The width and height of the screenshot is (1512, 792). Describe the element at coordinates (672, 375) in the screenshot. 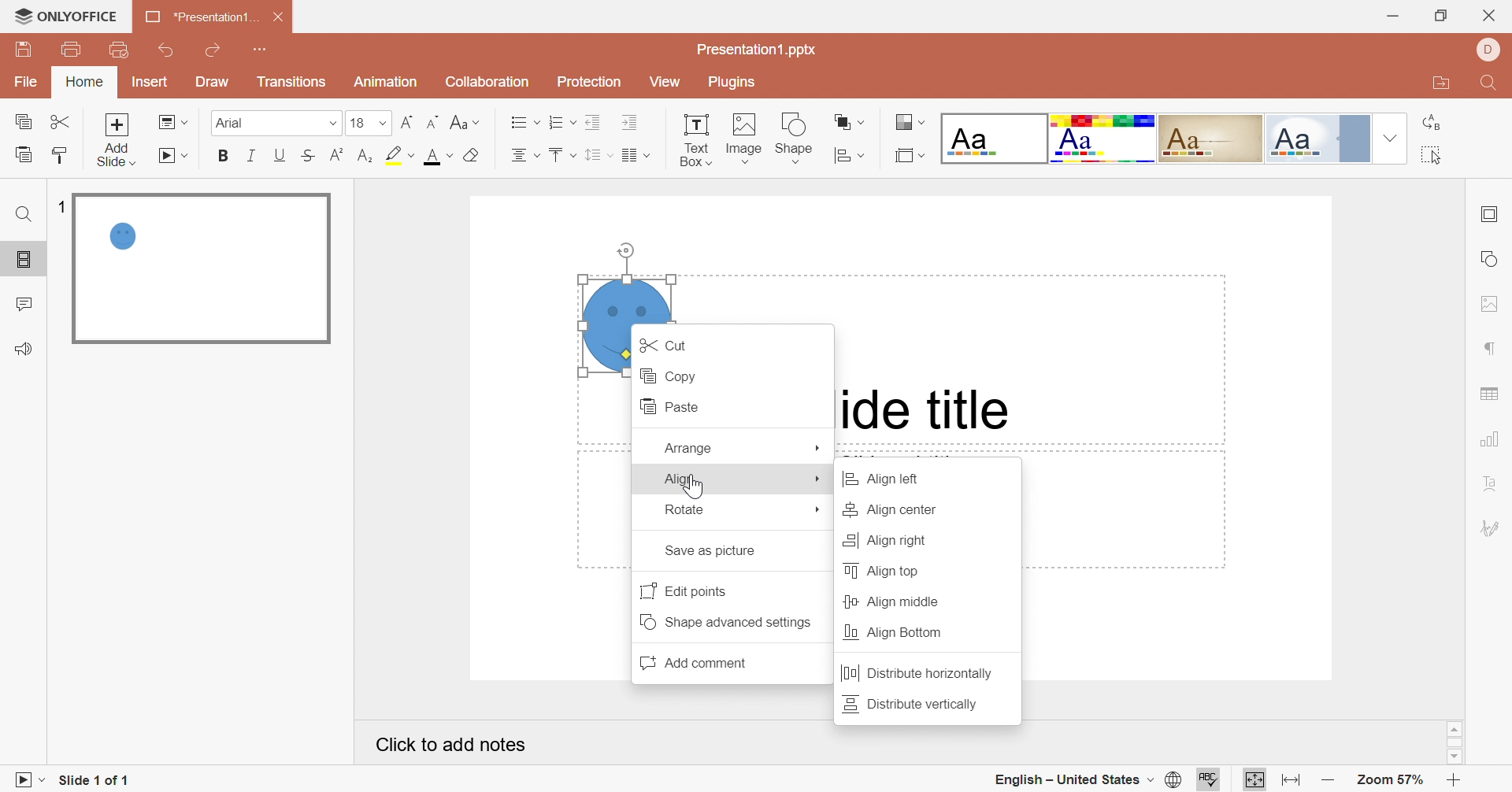

I see `Copy` at that location.